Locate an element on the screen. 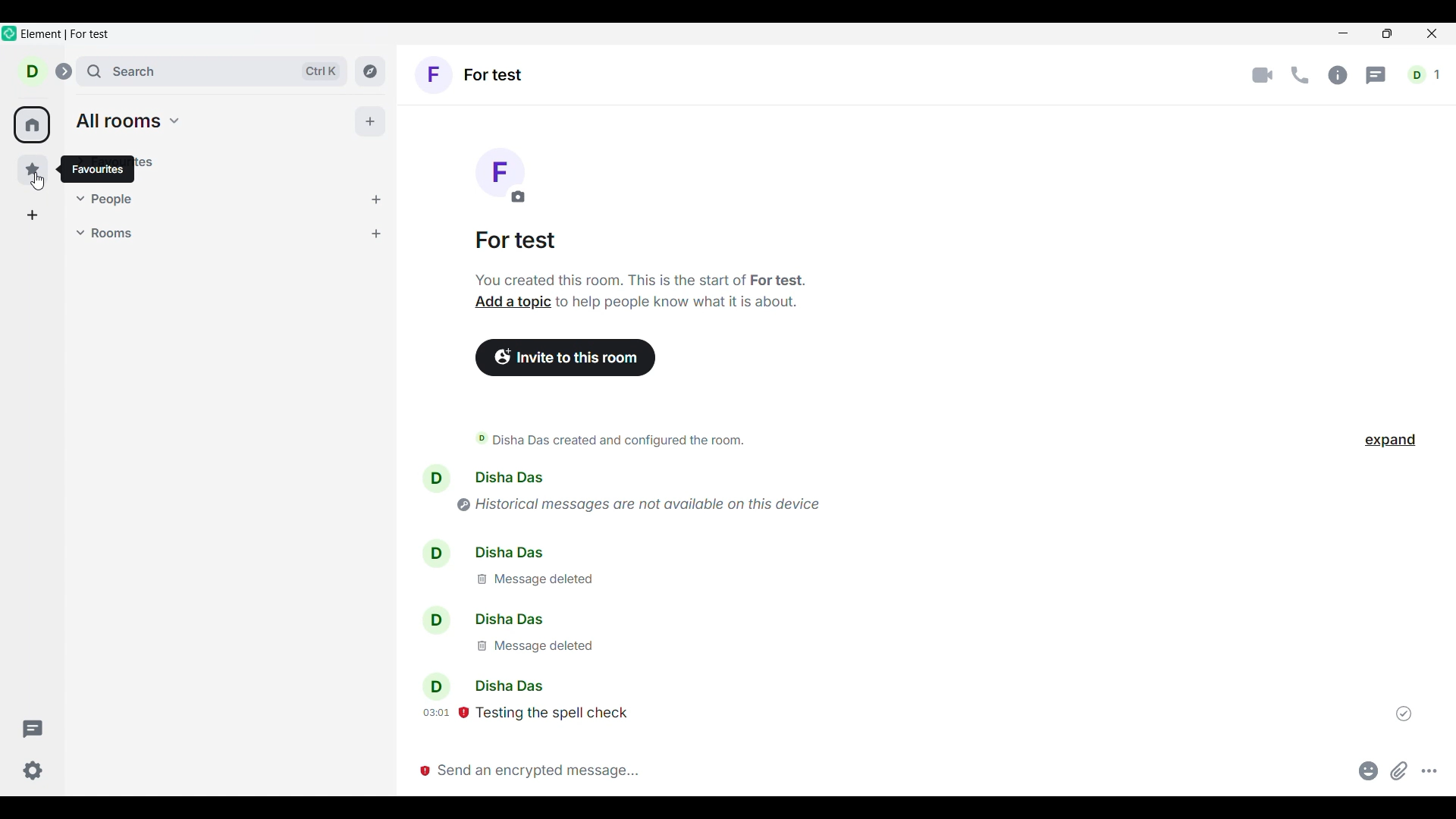 The image size is (1456, 819). disha das is located at coordinates (498, 620).